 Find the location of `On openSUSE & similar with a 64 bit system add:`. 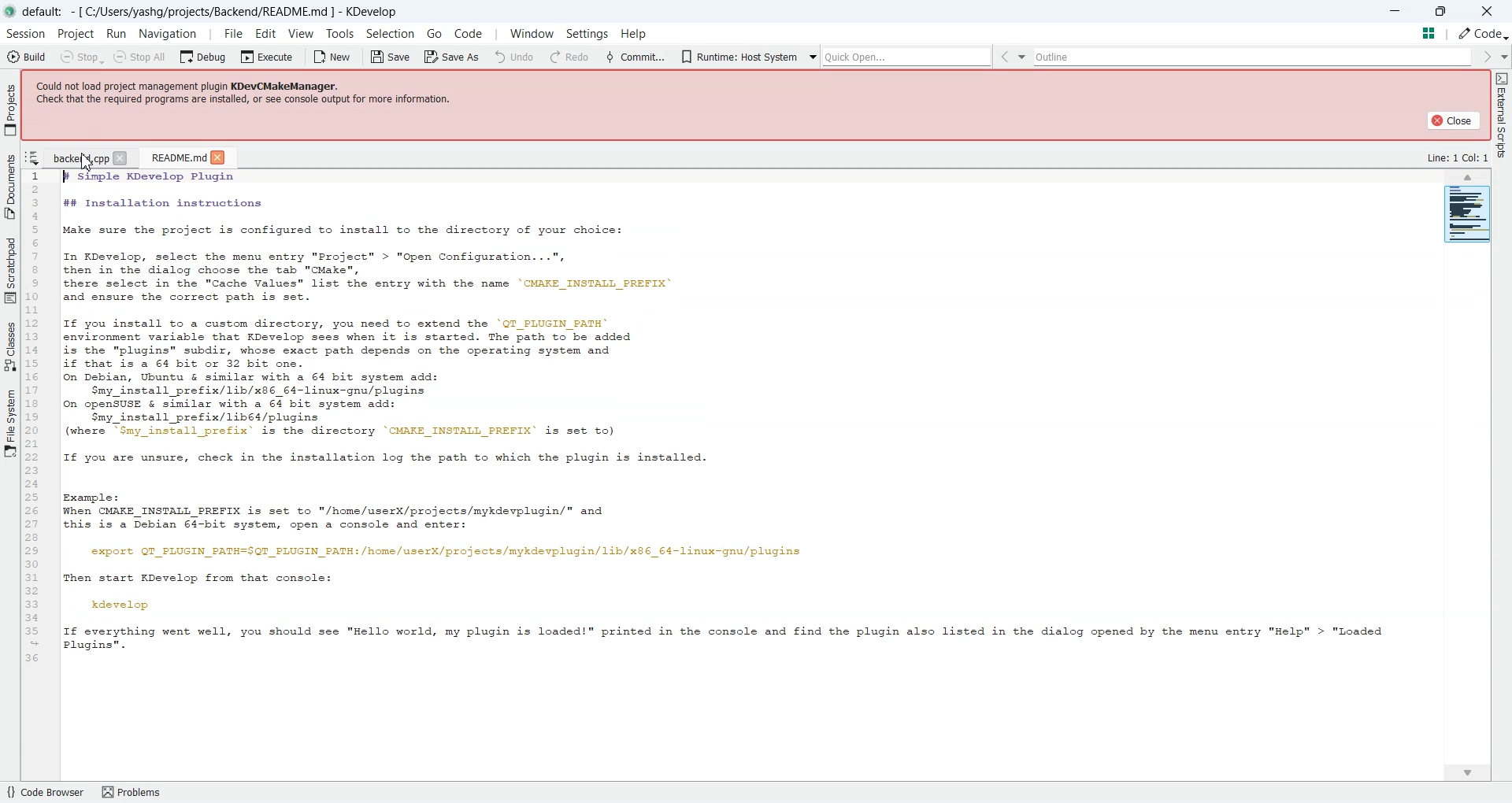

On openSUSE & similar with a 64 bit system add: is located at coordinates (228, 404).